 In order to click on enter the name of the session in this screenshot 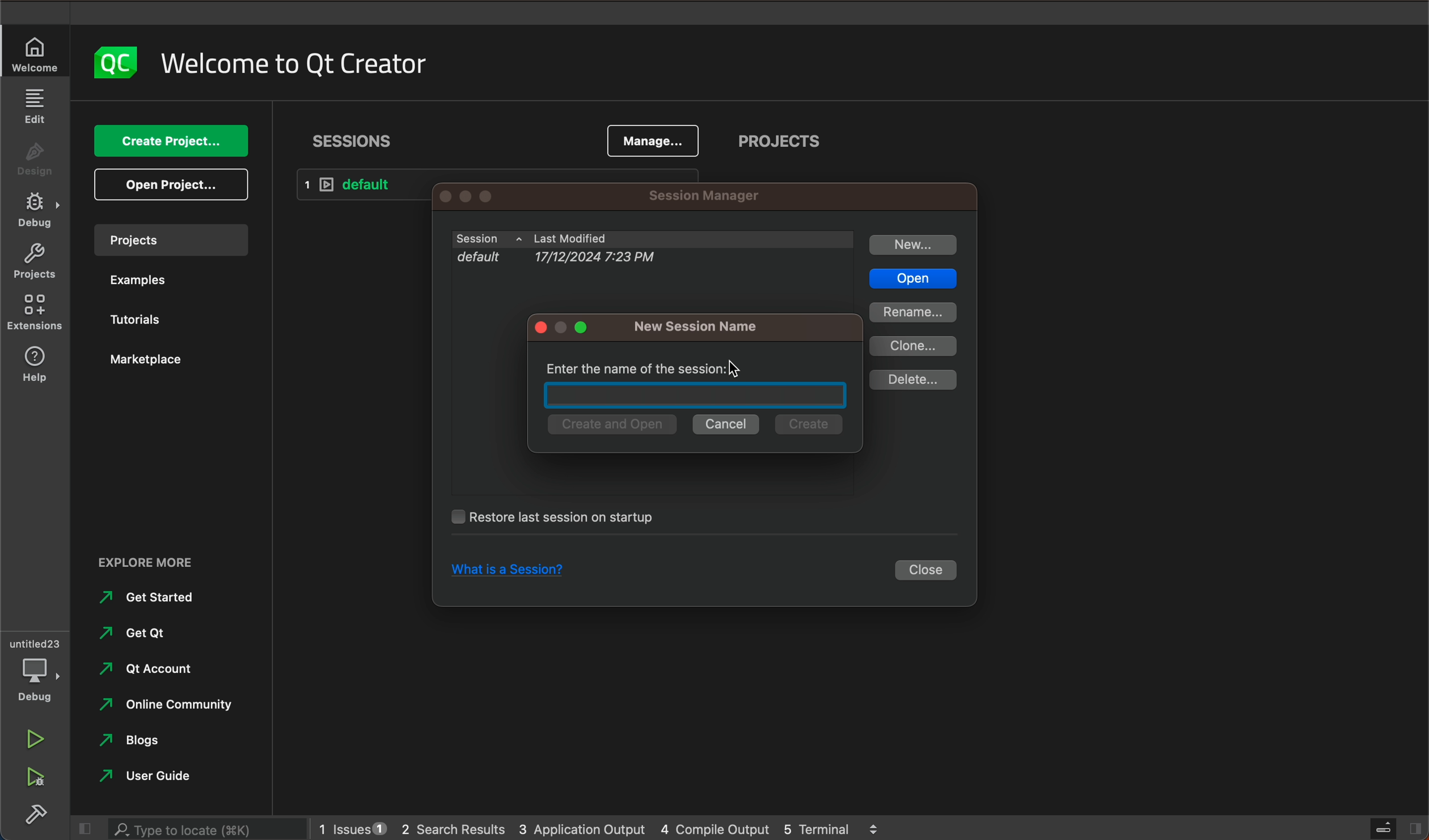, I will do `click(650, 363)`.